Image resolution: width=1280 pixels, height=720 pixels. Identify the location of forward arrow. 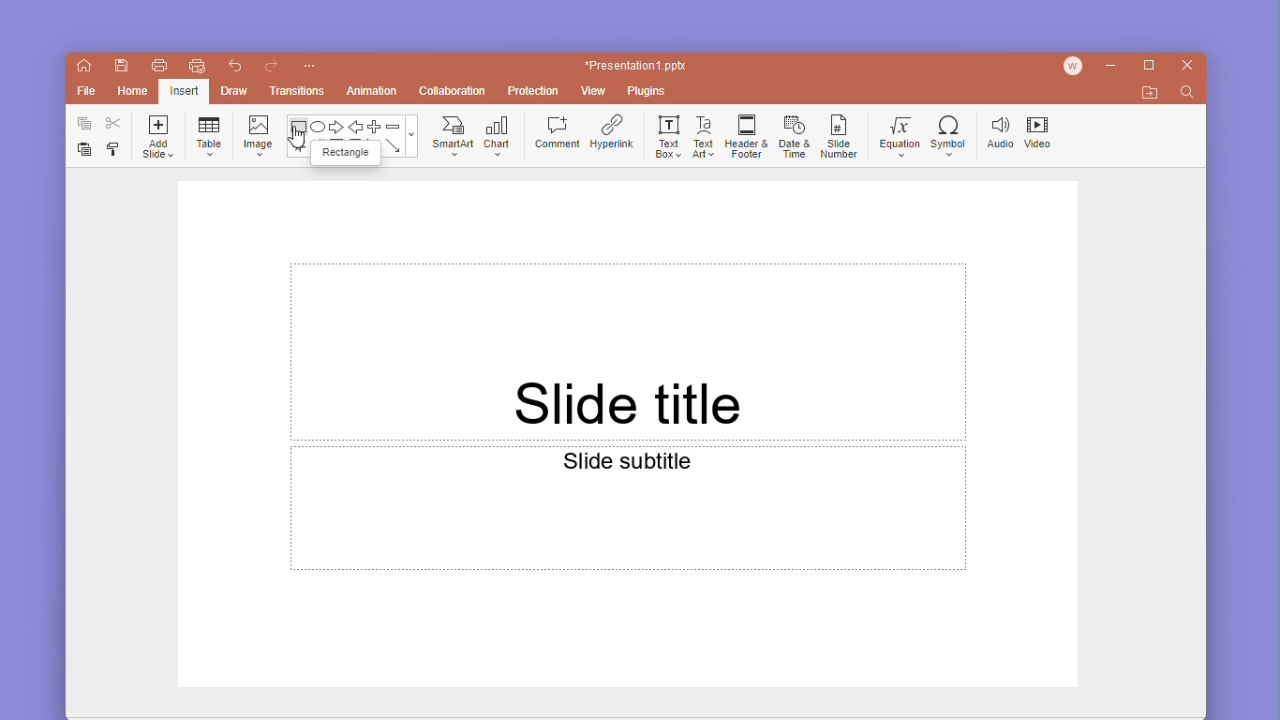
(336, 125).